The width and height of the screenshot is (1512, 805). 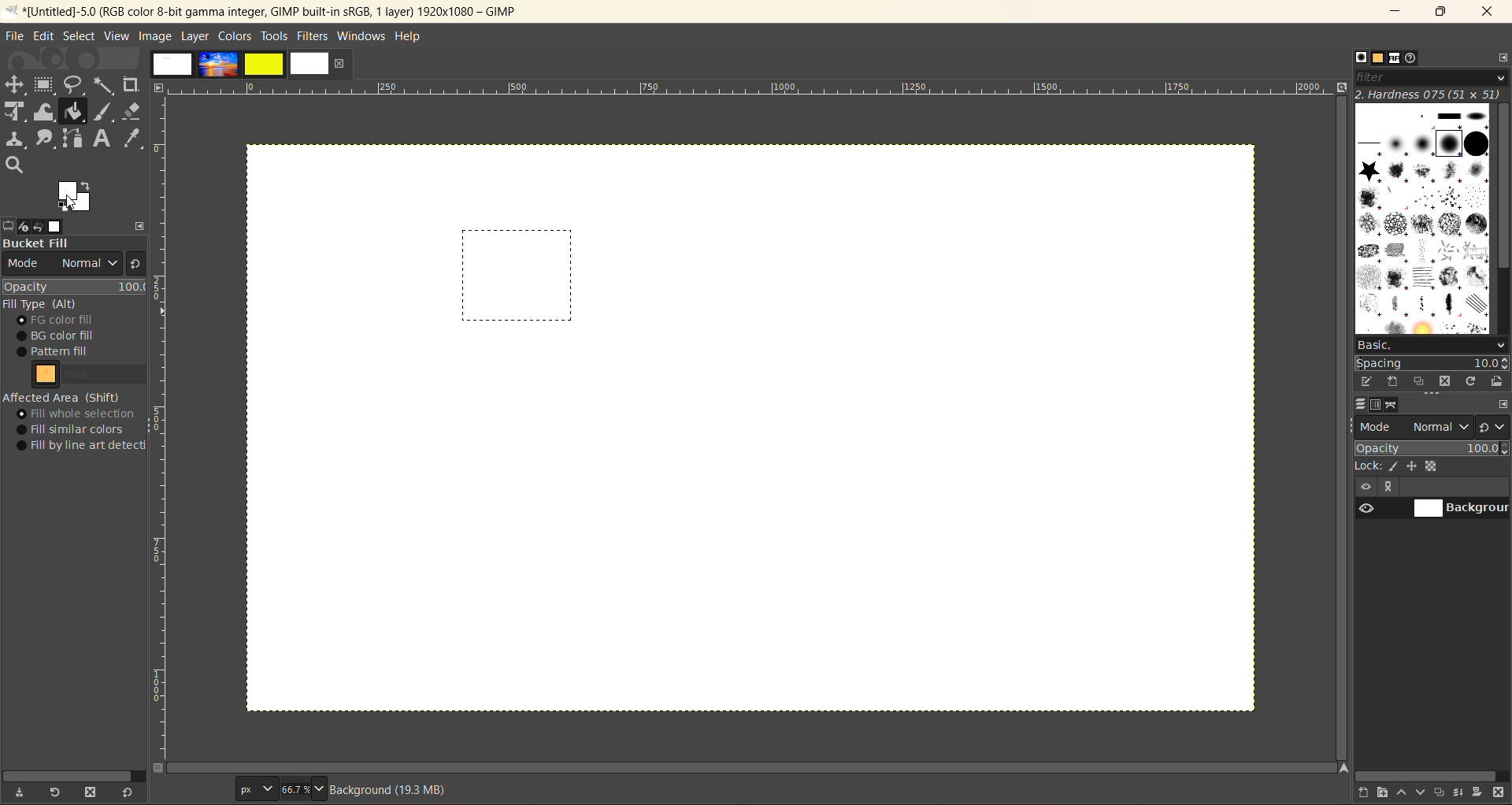 What do you see at coordinates (138, 225) in the screenshot?
I see `configure` at bounding box center [138, 225].